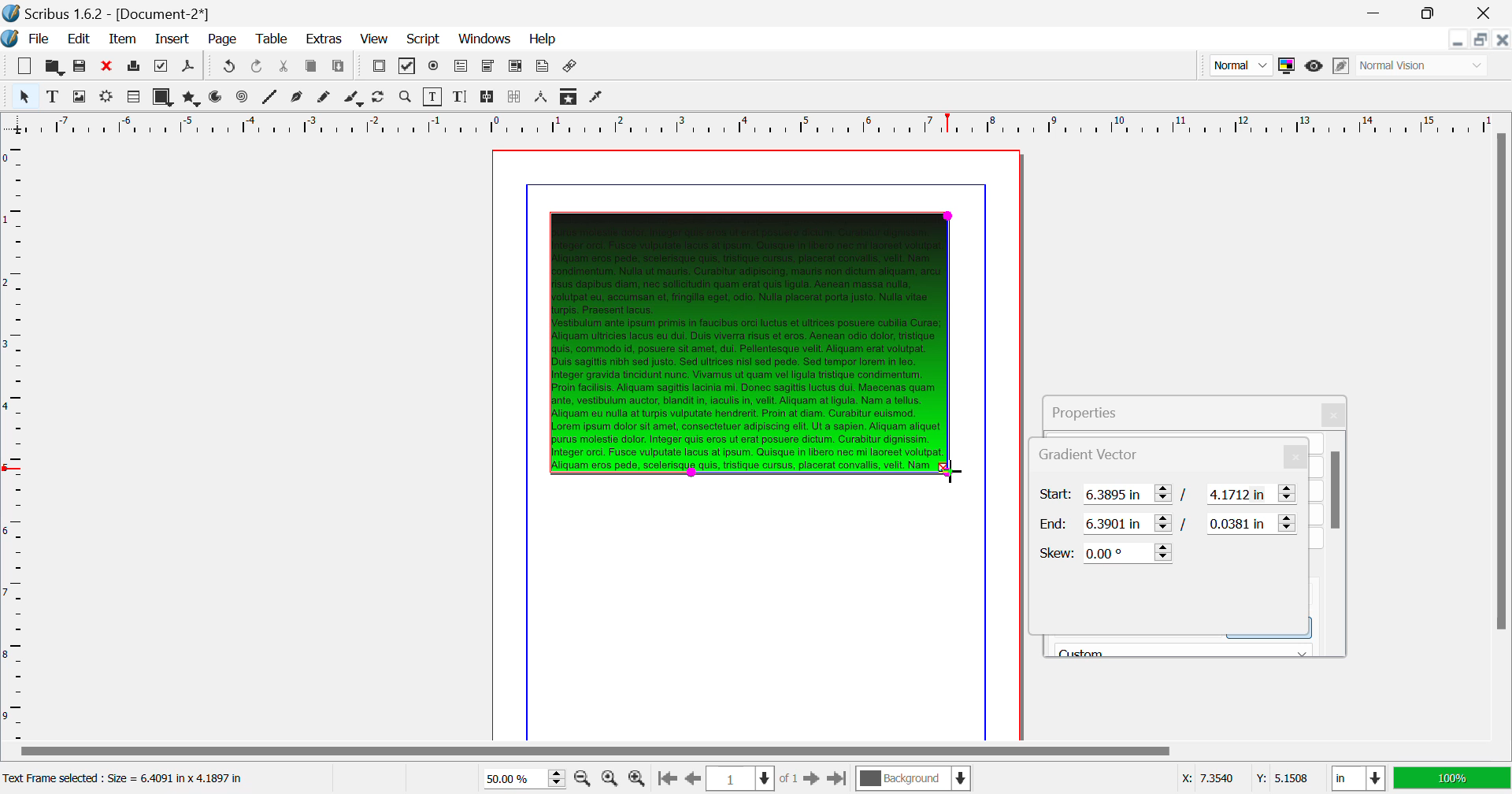 The width and height of the screenshot is (1512, 794). Describe the element at coordinates (424, 38) in the screenshot. I see `Script` at that location.